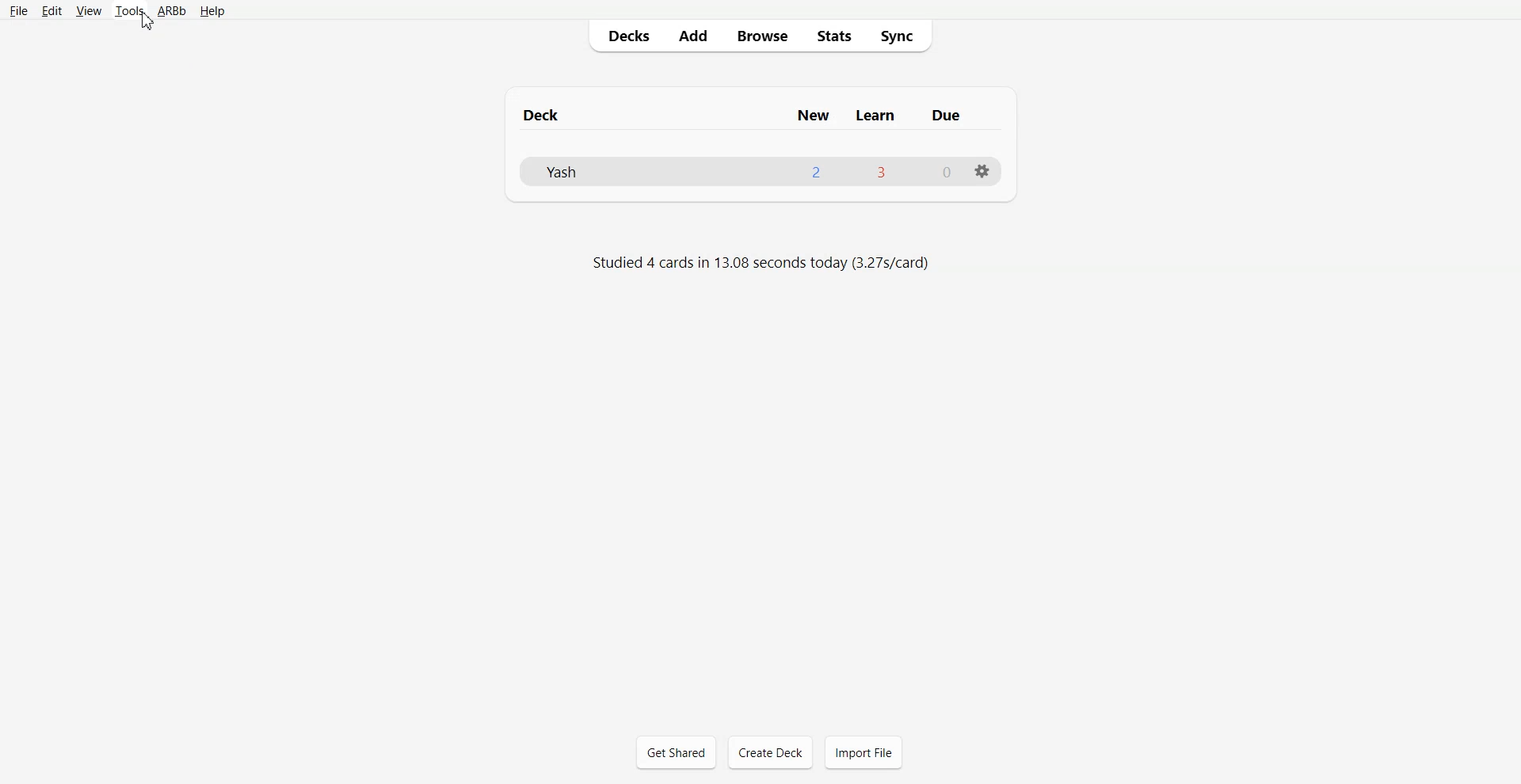 This screenshot has width=1521, height=784. Describe the element at coordinates (211, 12) in the screenshot. I see `Help` at that location.